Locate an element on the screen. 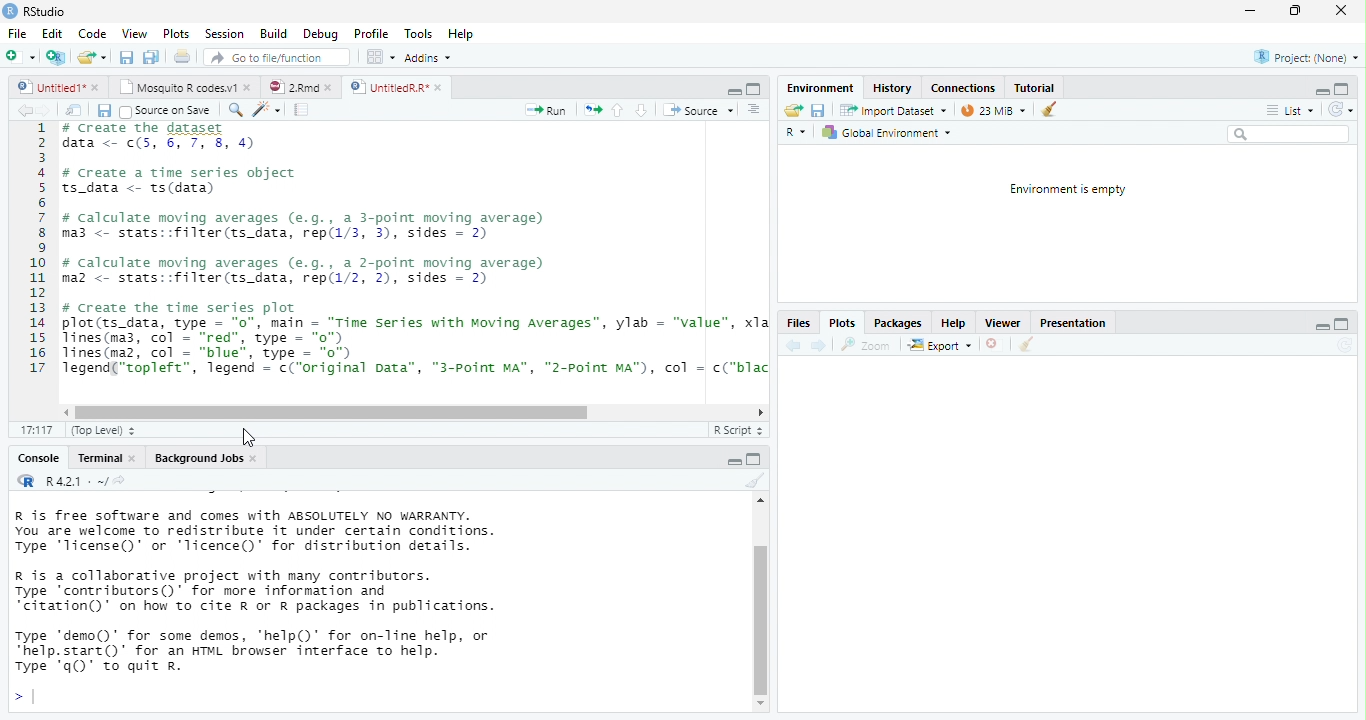 This screenshot has height=720, width=1366. open an existing file is located at coordinates (92, 58).